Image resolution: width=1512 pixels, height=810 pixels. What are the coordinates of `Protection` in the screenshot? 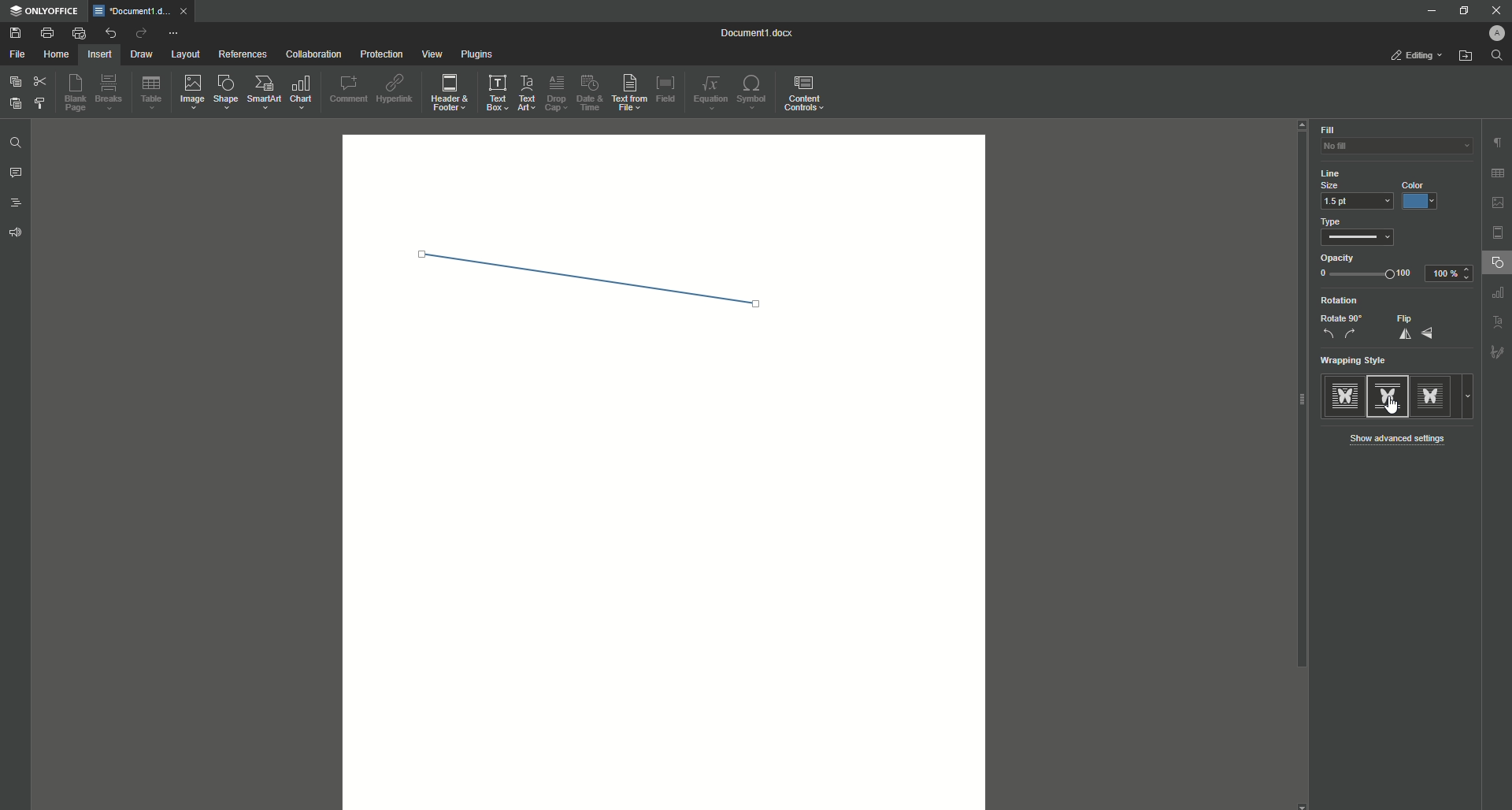 It's located at (380, 54).